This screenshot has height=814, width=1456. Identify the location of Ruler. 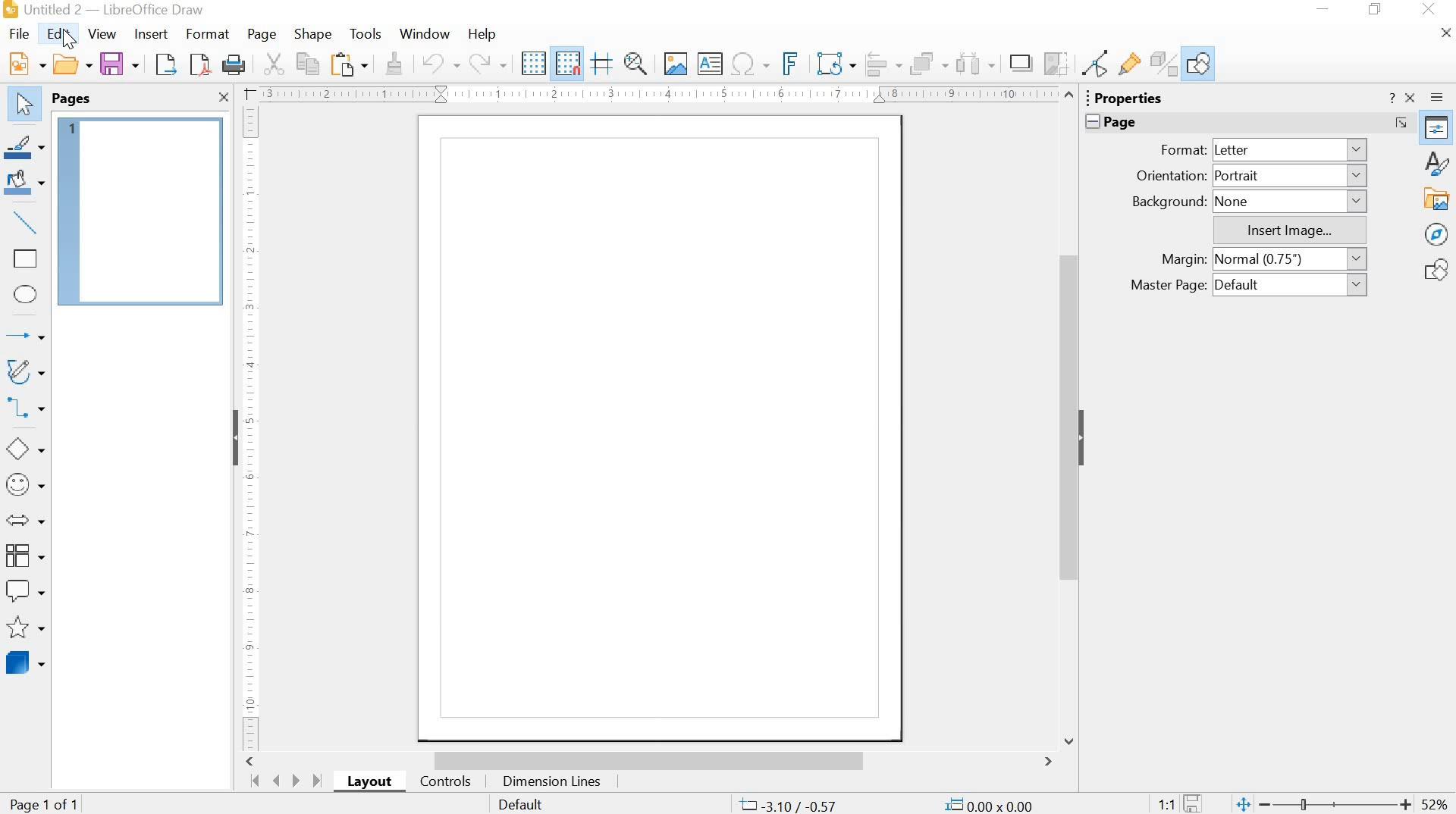
(657, 95).